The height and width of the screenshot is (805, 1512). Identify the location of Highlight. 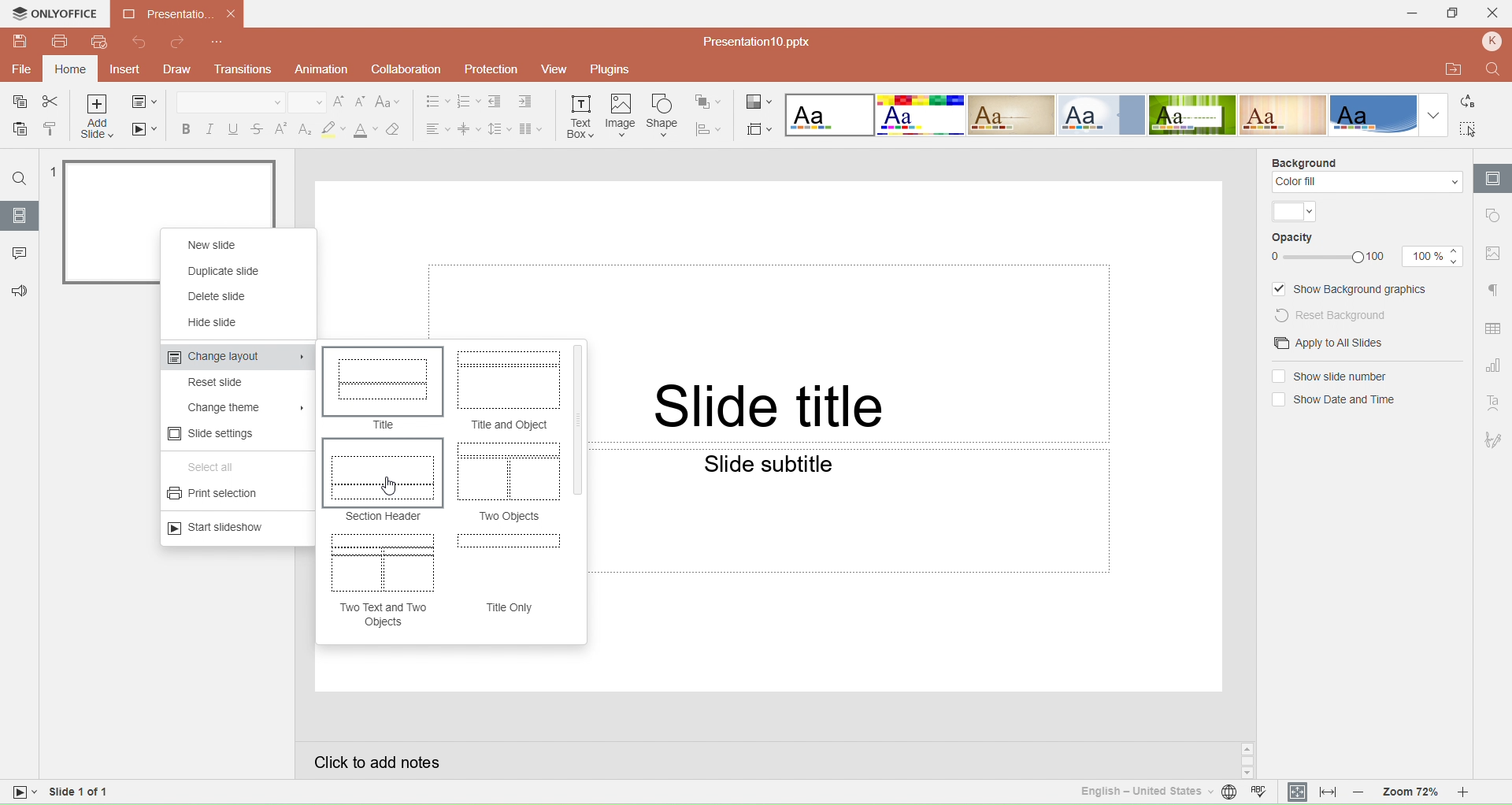
(332, 129).